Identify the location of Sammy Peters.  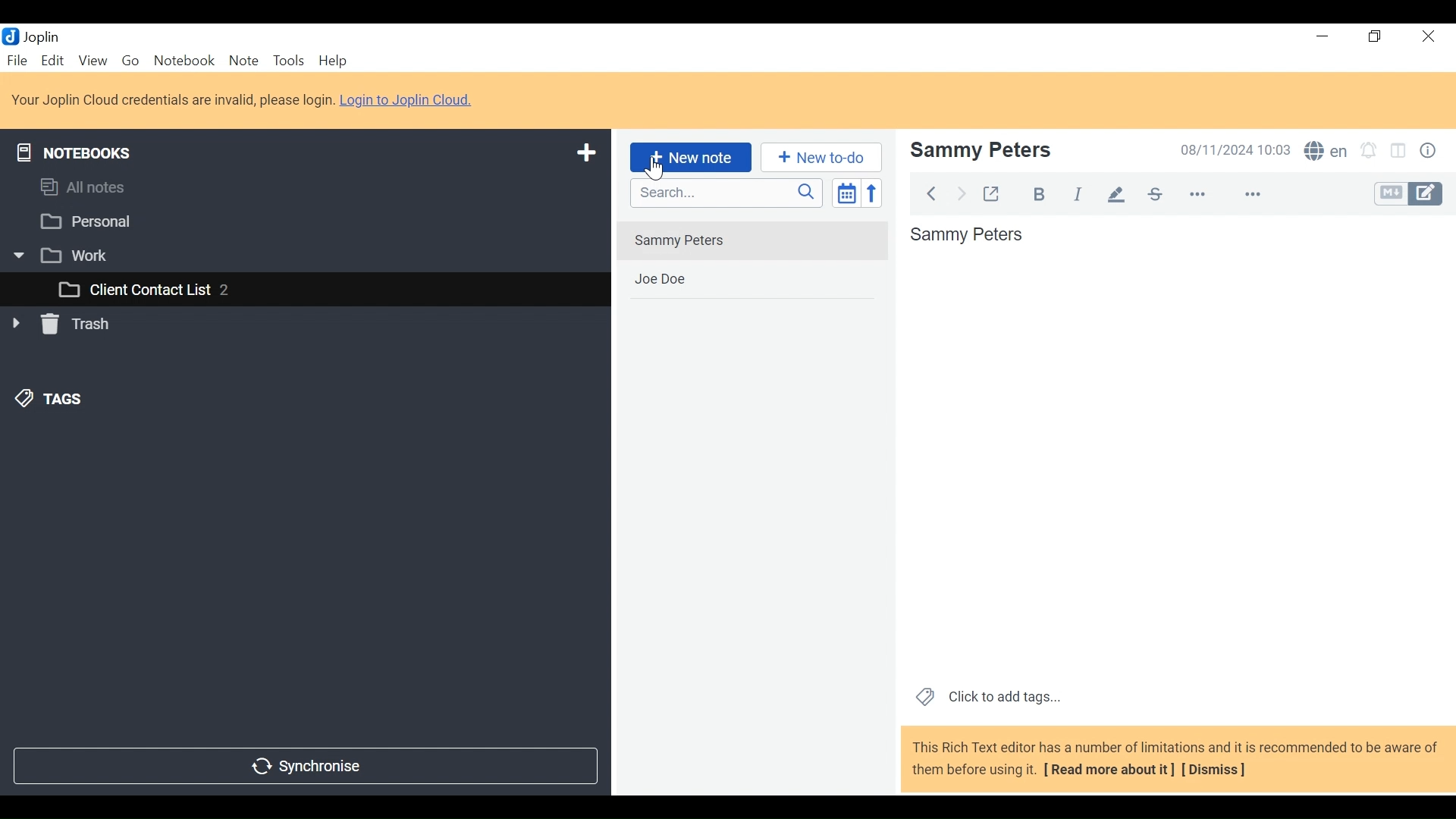
(1175, 448).